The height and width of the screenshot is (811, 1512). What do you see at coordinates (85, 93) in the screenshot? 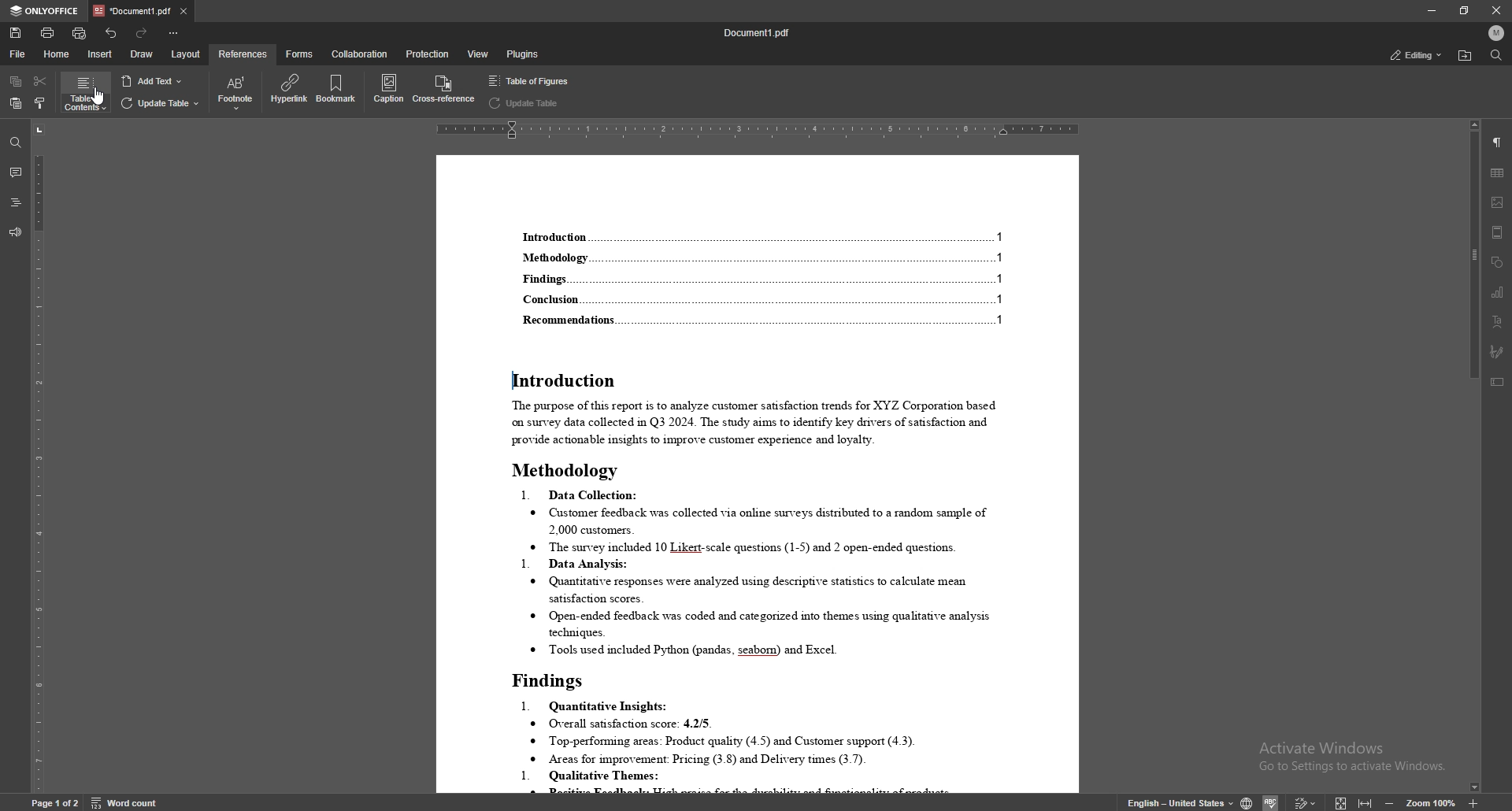
I see `table of contents` at bounding box center [85, 93].